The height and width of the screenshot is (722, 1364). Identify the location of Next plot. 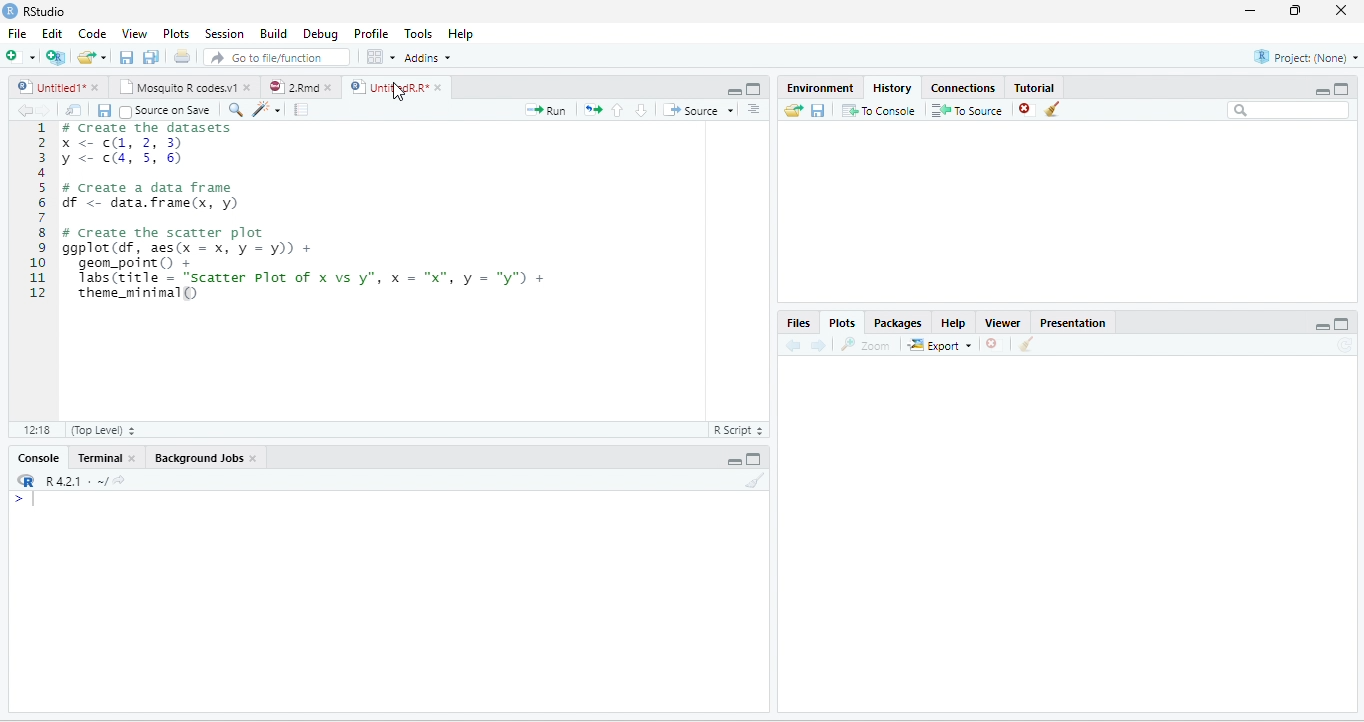
(818, 345).